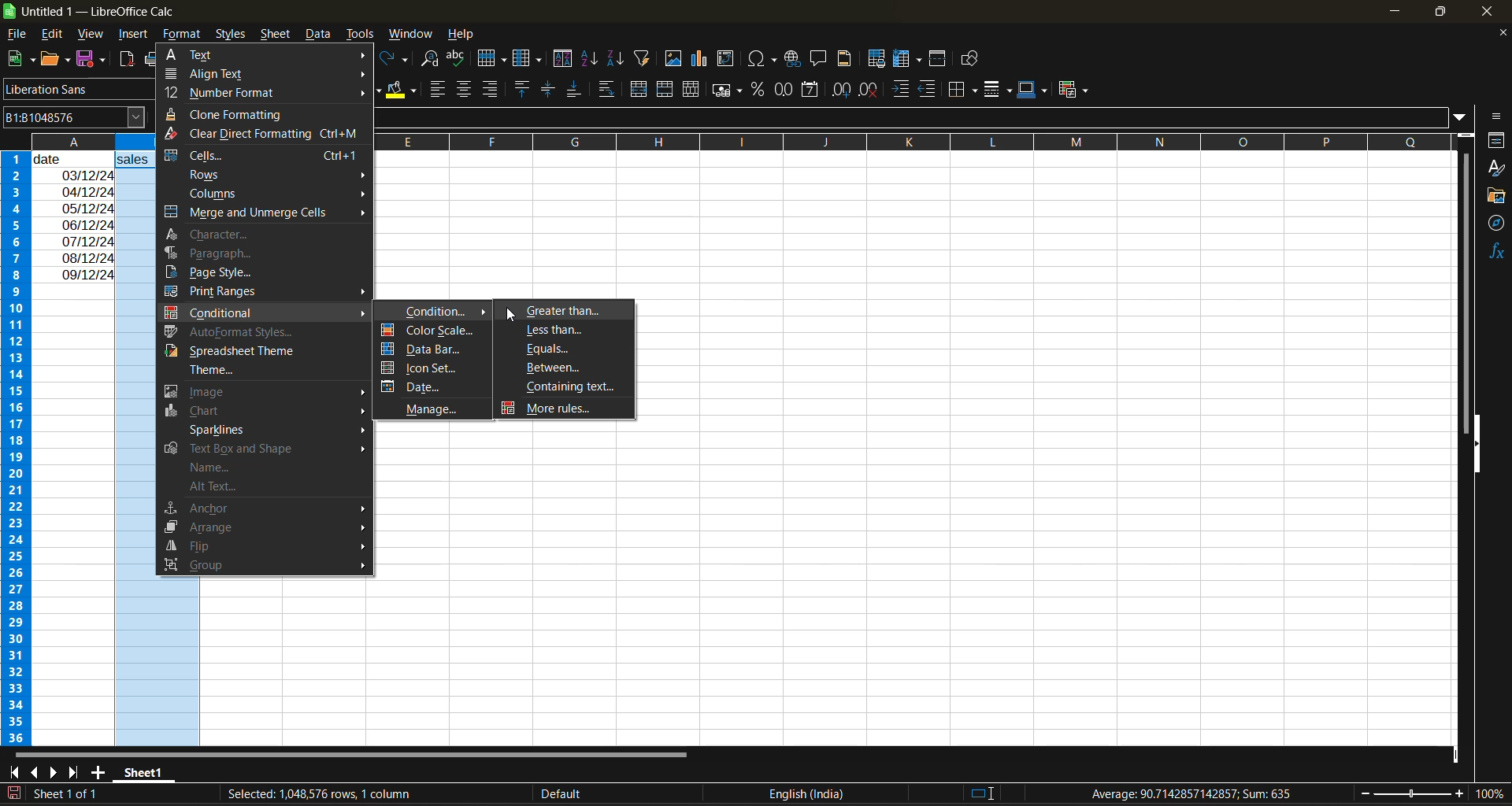 The height and width of the screenshot is (806, 1512). What do you see at coordinates (461, 33) in the screenshot?
I see `help` at bounding box center [461, 33].